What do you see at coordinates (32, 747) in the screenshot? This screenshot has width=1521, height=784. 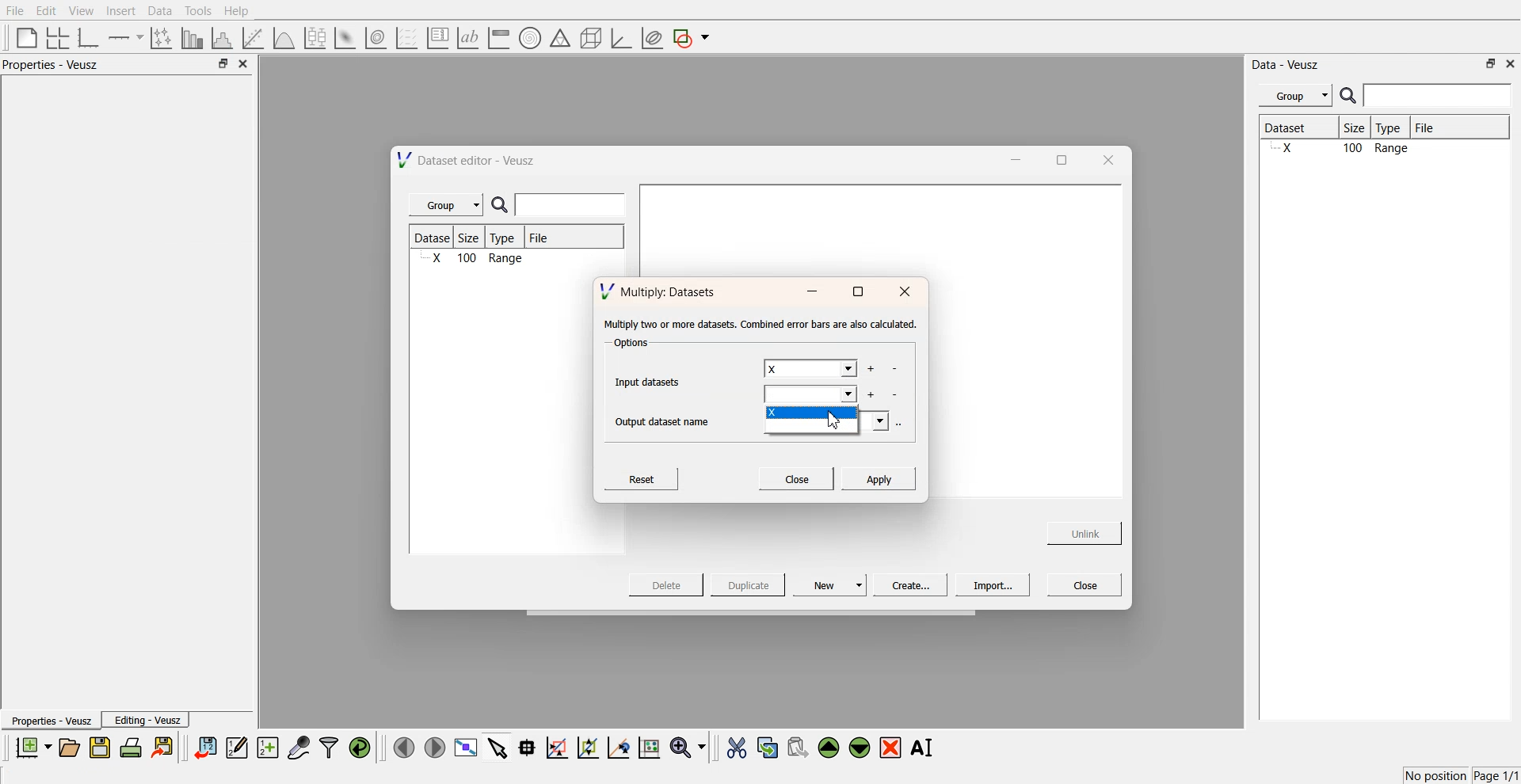 I see `new documents` at bounding box center [32, 747].